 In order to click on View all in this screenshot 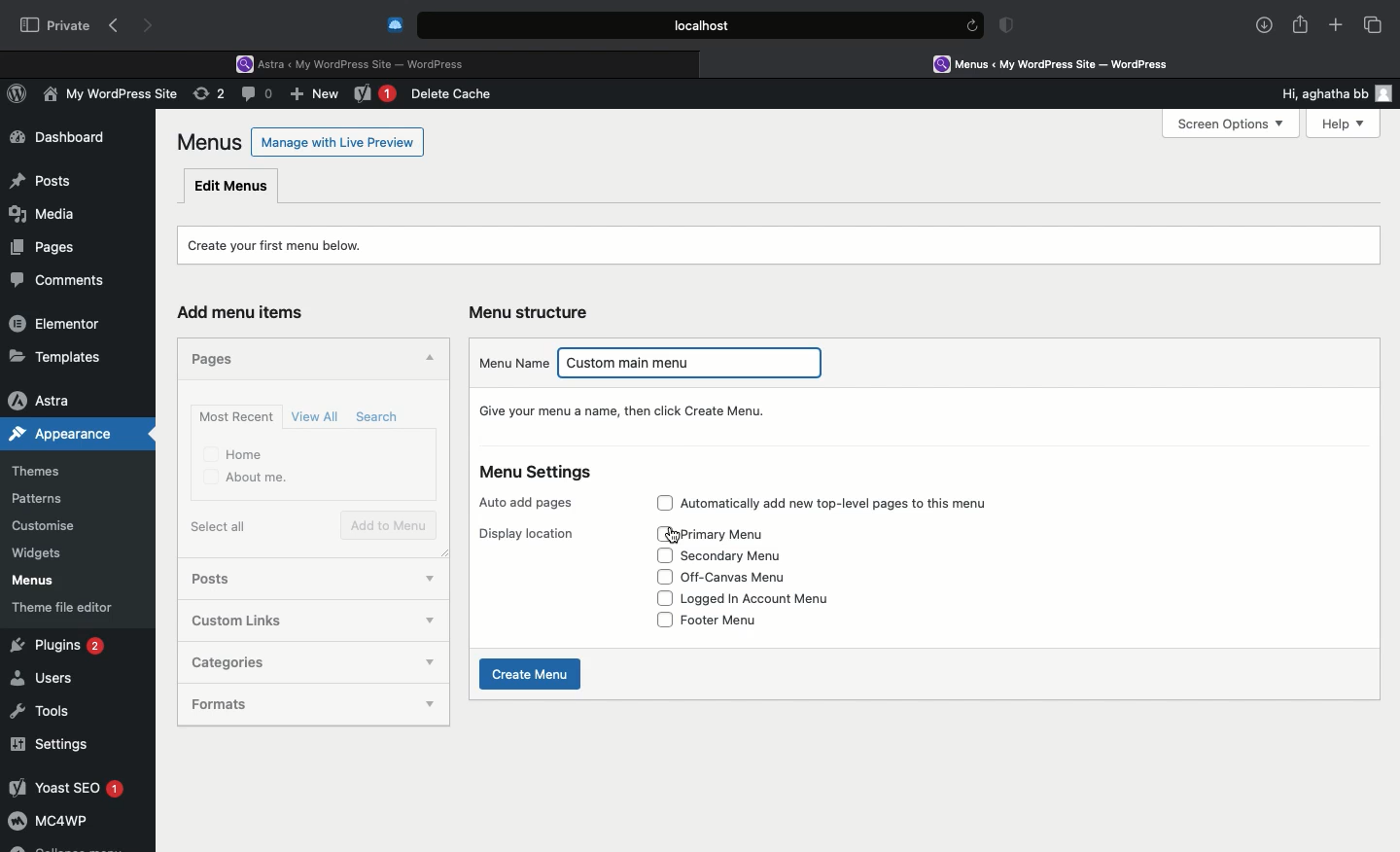, I will do `click(317, 416)`.